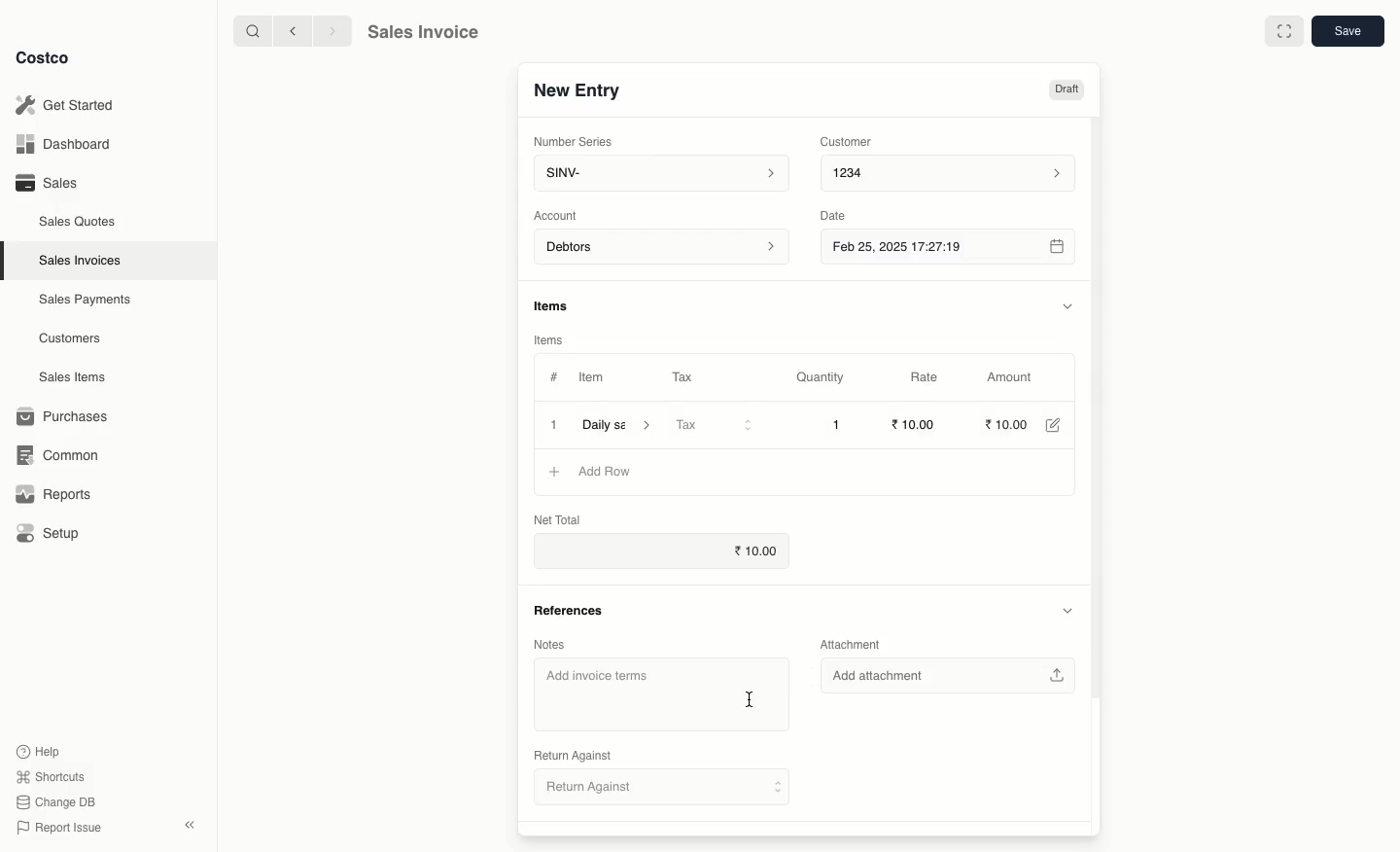  What do you see at coordinates (573, 755) in the screenshot?
I see `Return Against` at bounding box center [573, 755].